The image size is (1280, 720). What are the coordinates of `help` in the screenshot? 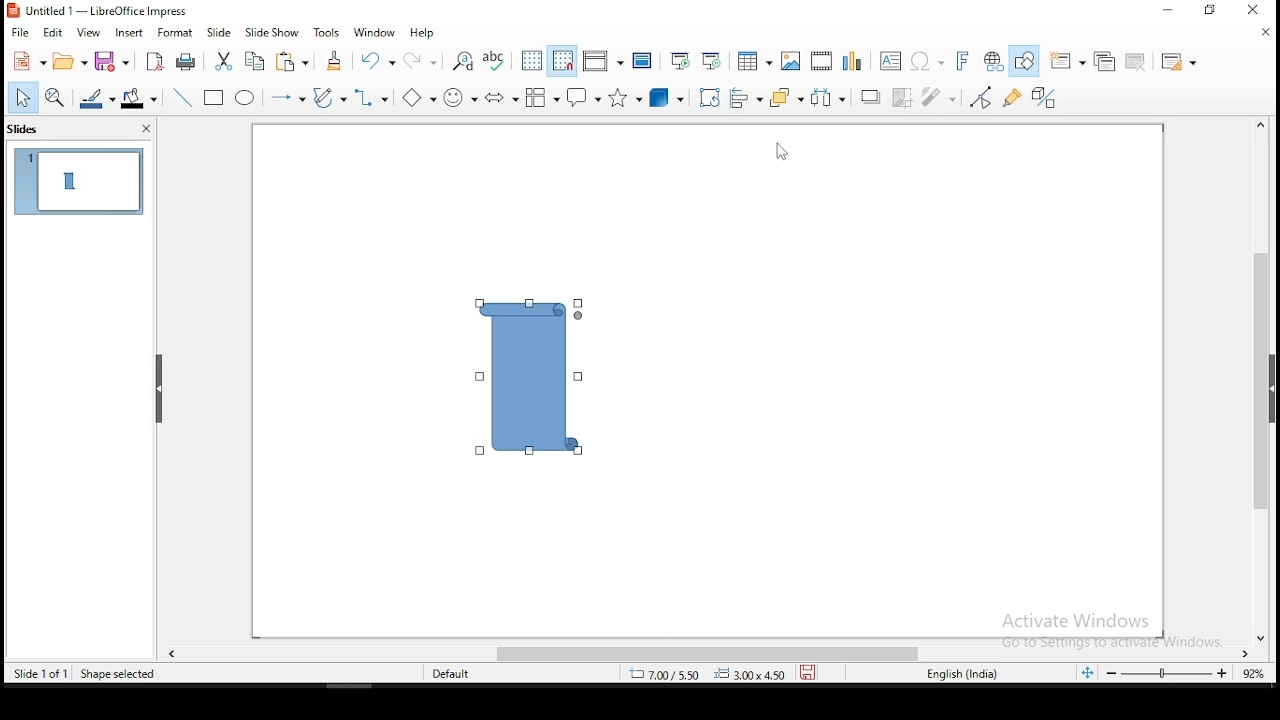 It's located at (424, 32).